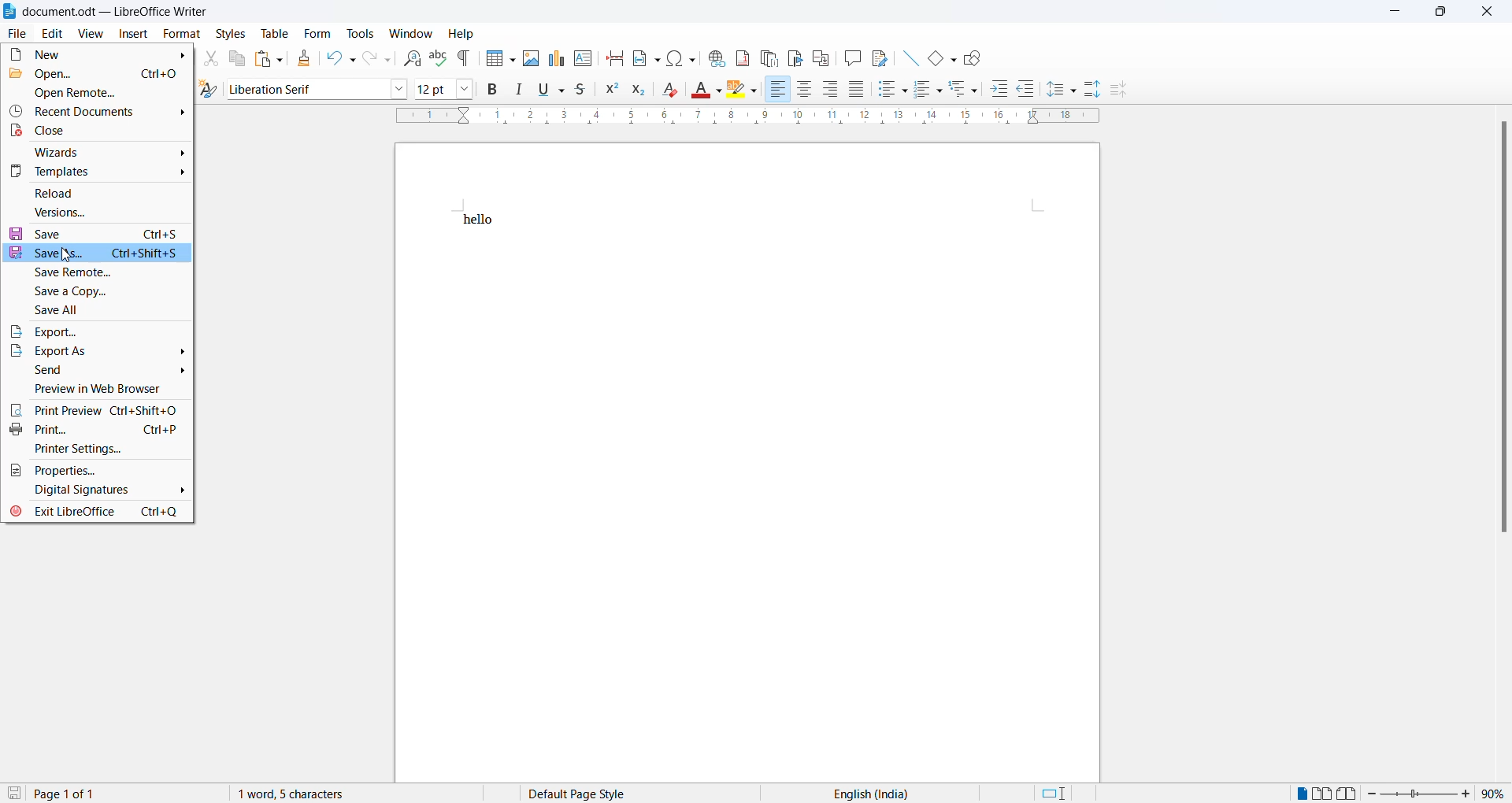 Image resolution: width=1512 pixels, height=803 pixels. I want to click on Save remote, so click(93, 274).